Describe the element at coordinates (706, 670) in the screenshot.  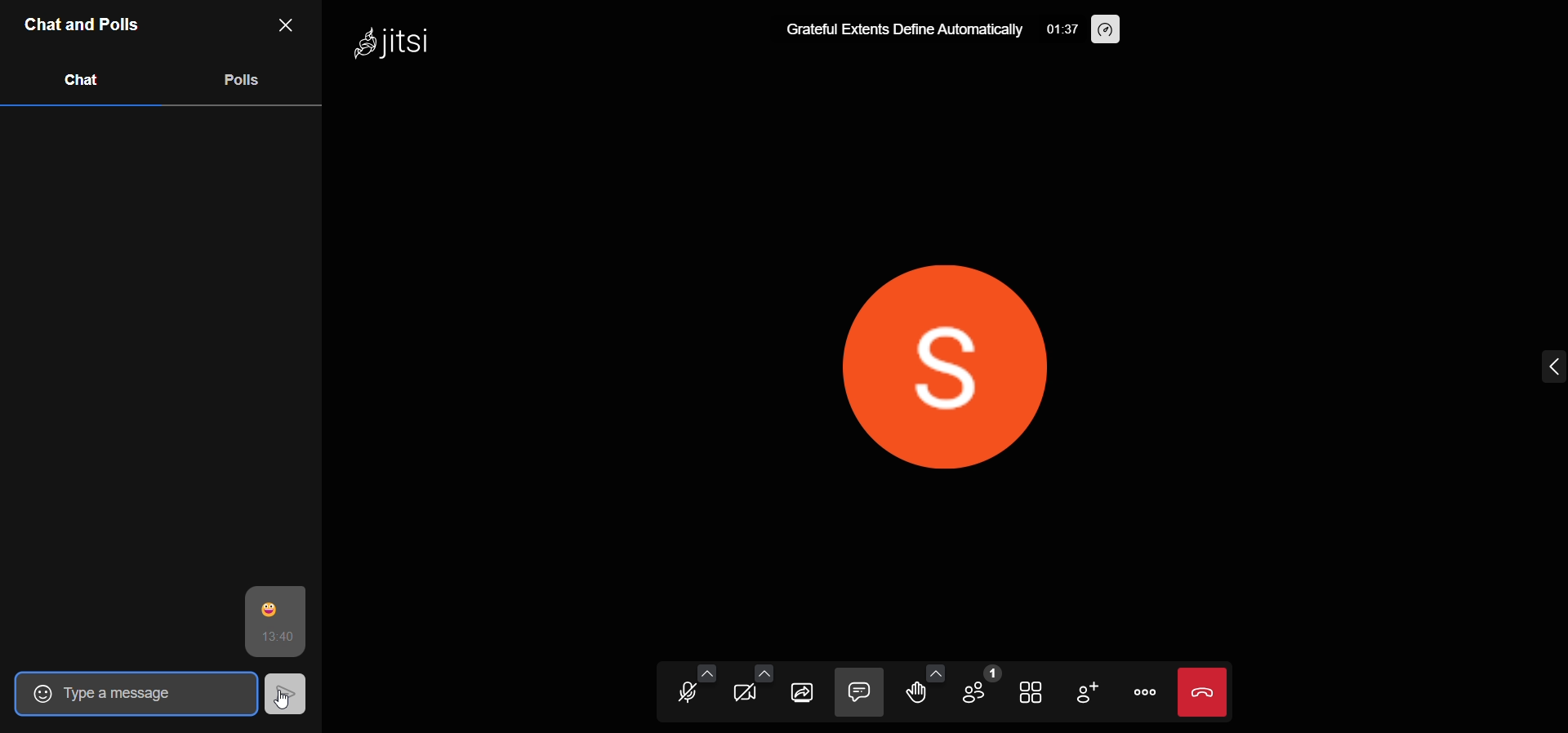
I see `audio setting` at that location.